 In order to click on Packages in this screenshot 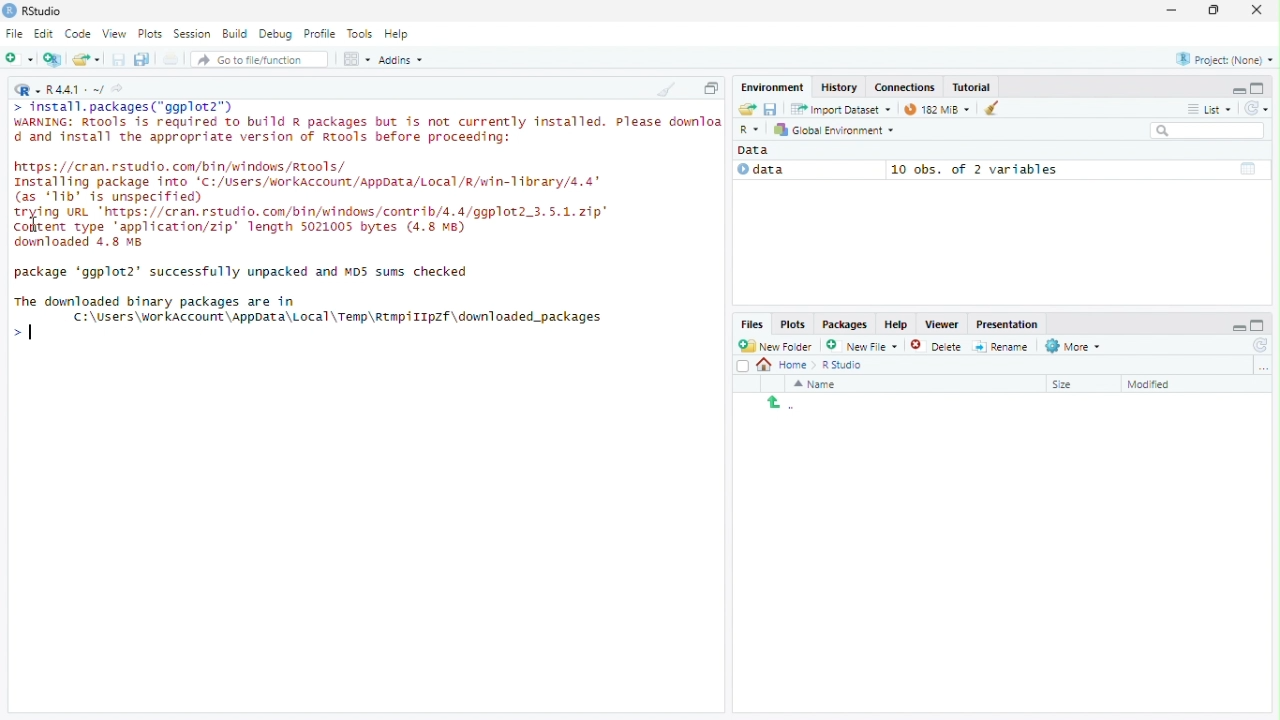, I will do `click(845, 324)`.